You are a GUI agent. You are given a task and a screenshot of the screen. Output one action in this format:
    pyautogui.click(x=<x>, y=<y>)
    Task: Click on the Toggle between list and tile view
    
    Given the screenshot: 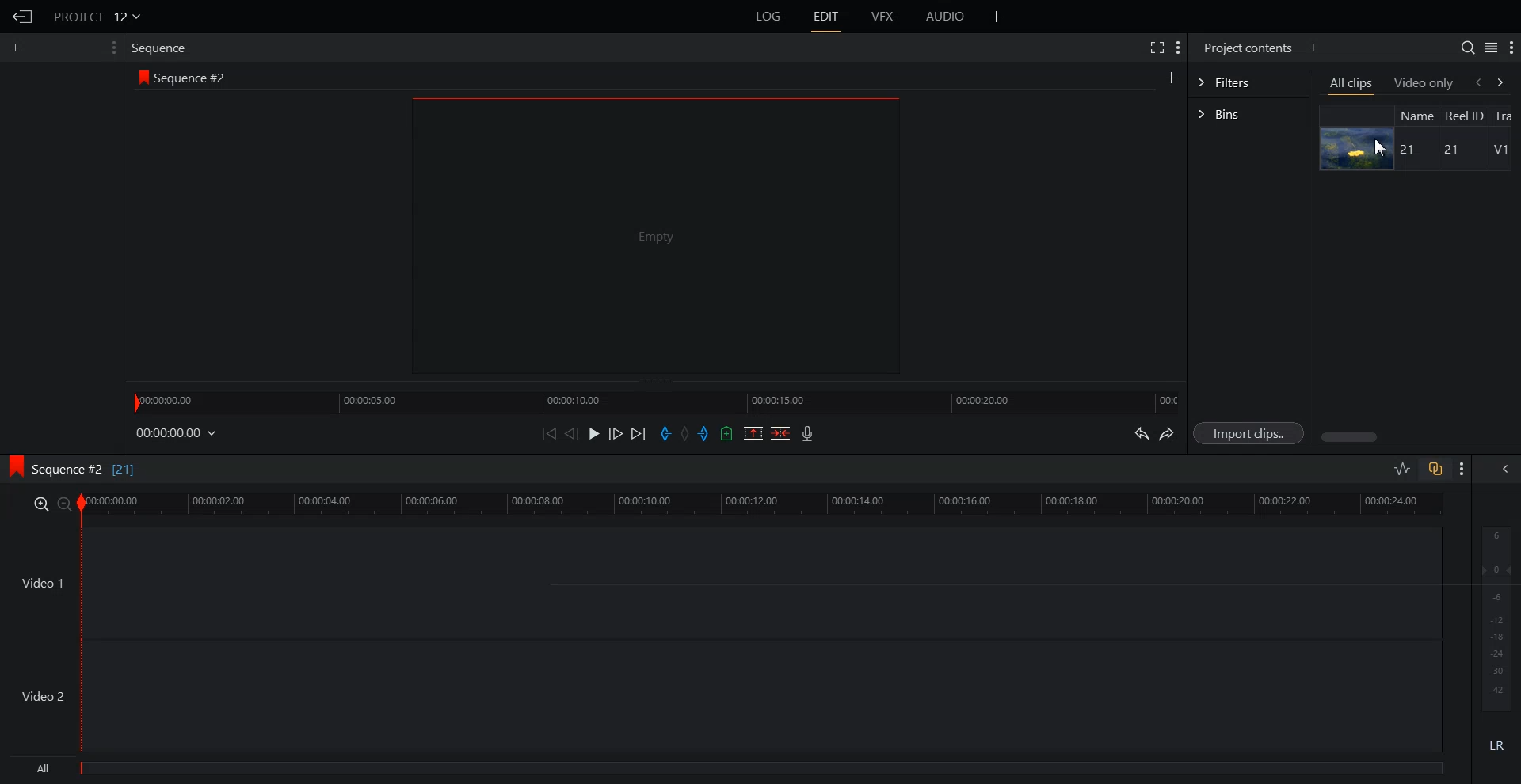 What is the action you would take?
    pyautogui.click(x=1490, y=47)
    